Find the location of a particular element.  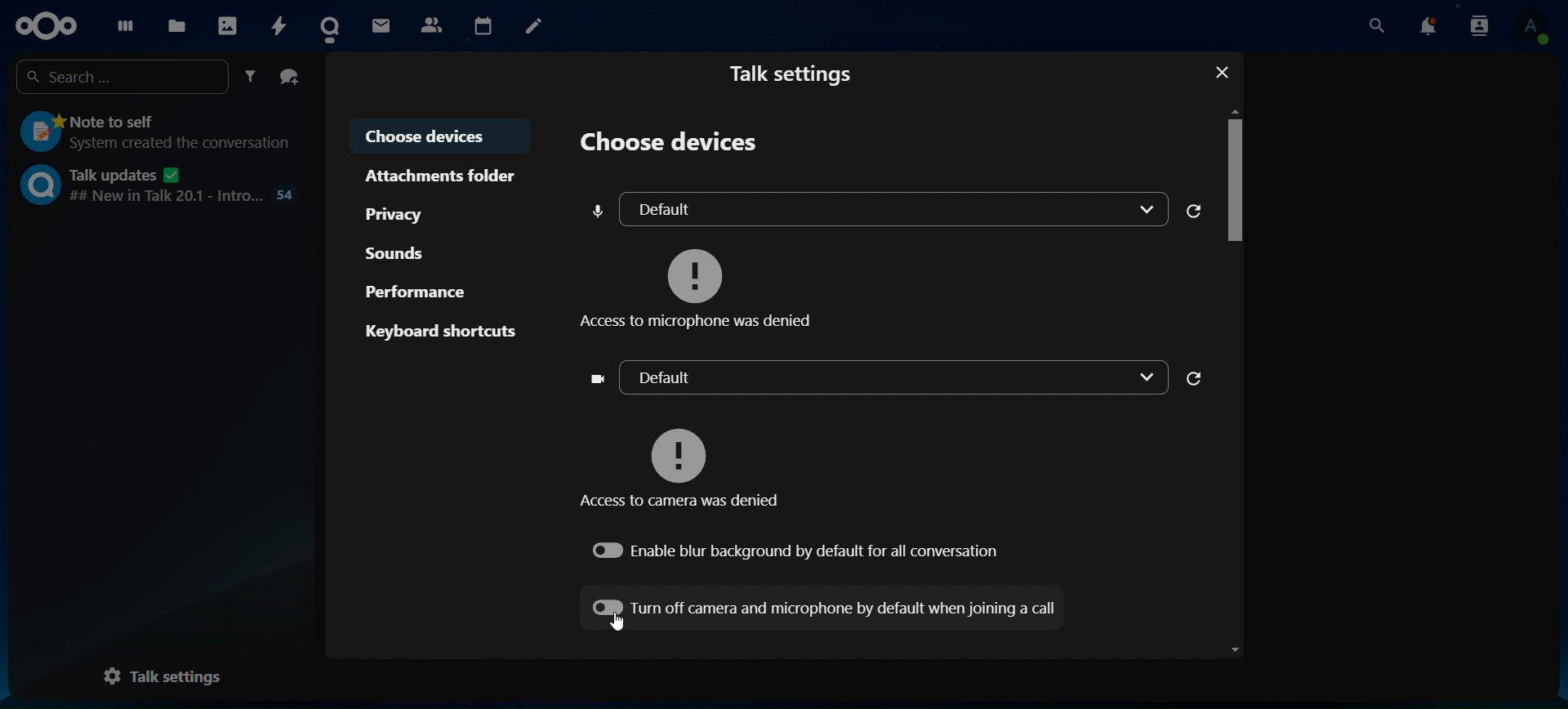

talk settings is located at coordinates (158, 677).